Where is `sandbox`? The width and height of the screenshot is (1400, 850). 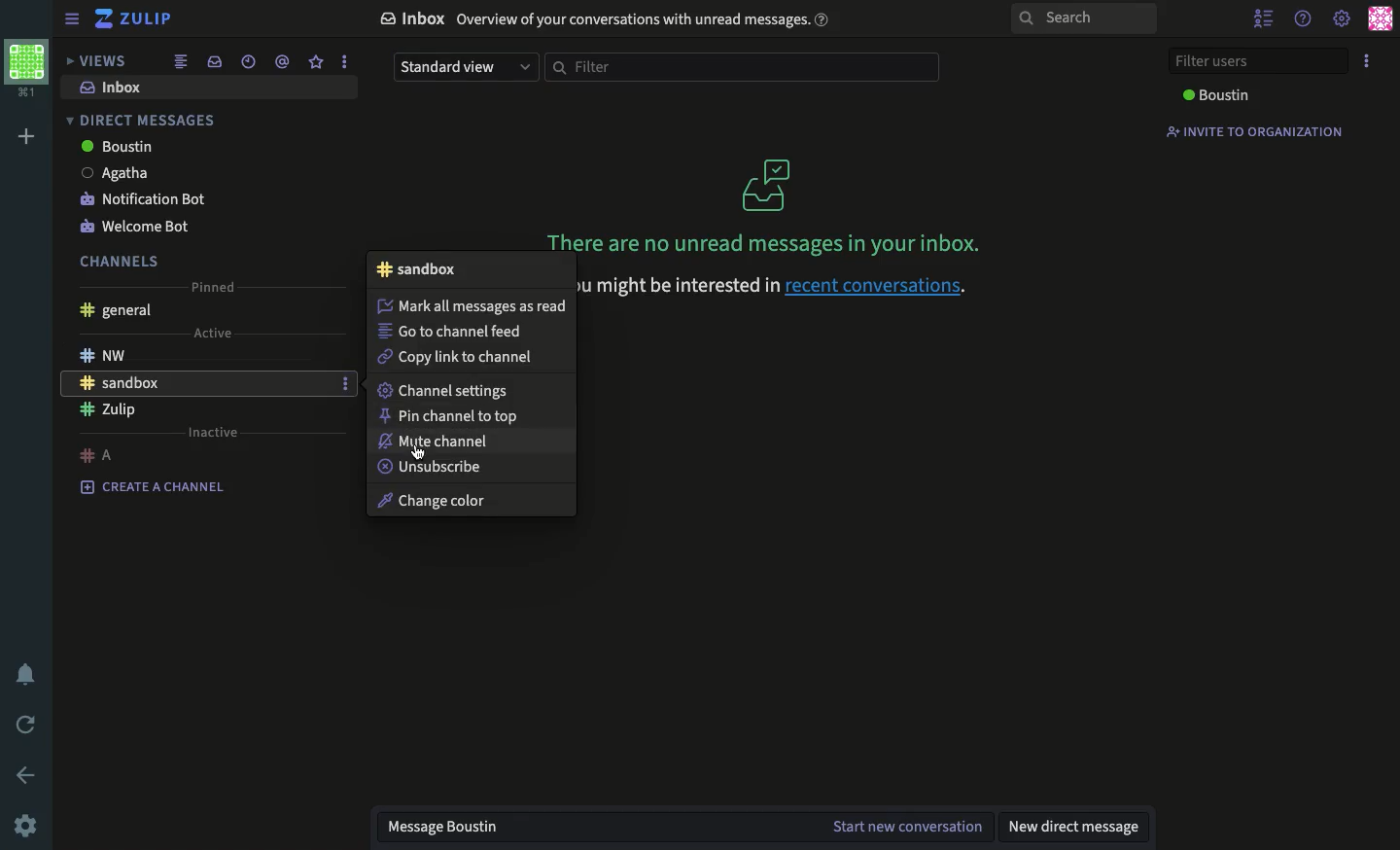
sandbox is located at coordinates (417, 269).